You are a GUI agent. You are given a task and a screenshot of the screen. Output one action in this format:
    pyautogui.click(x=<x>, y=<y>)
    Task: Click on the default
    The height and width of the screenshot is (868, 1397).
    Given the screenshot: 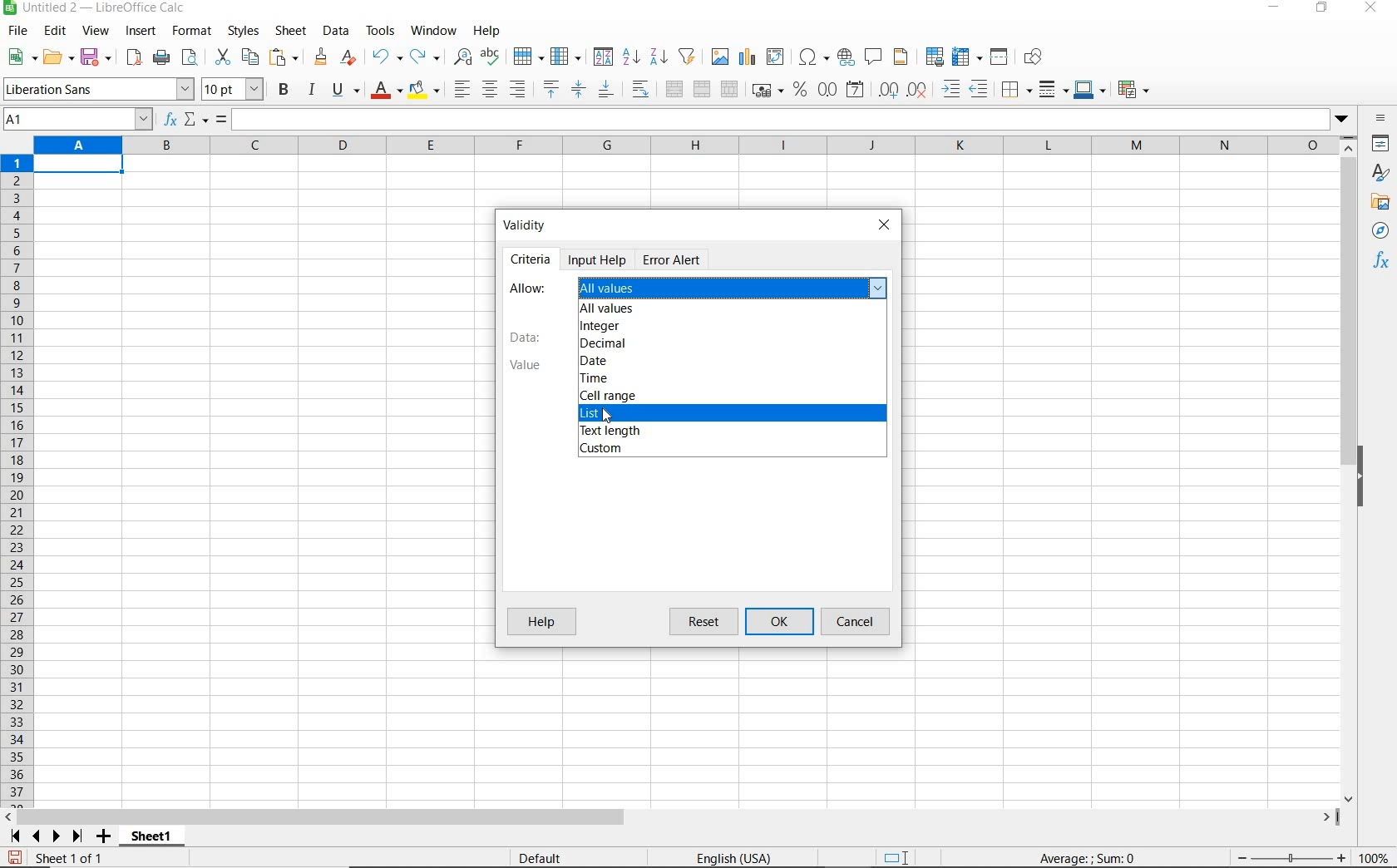 What is the action you would take?
    pyautogui.click(x=543, y=859)
    